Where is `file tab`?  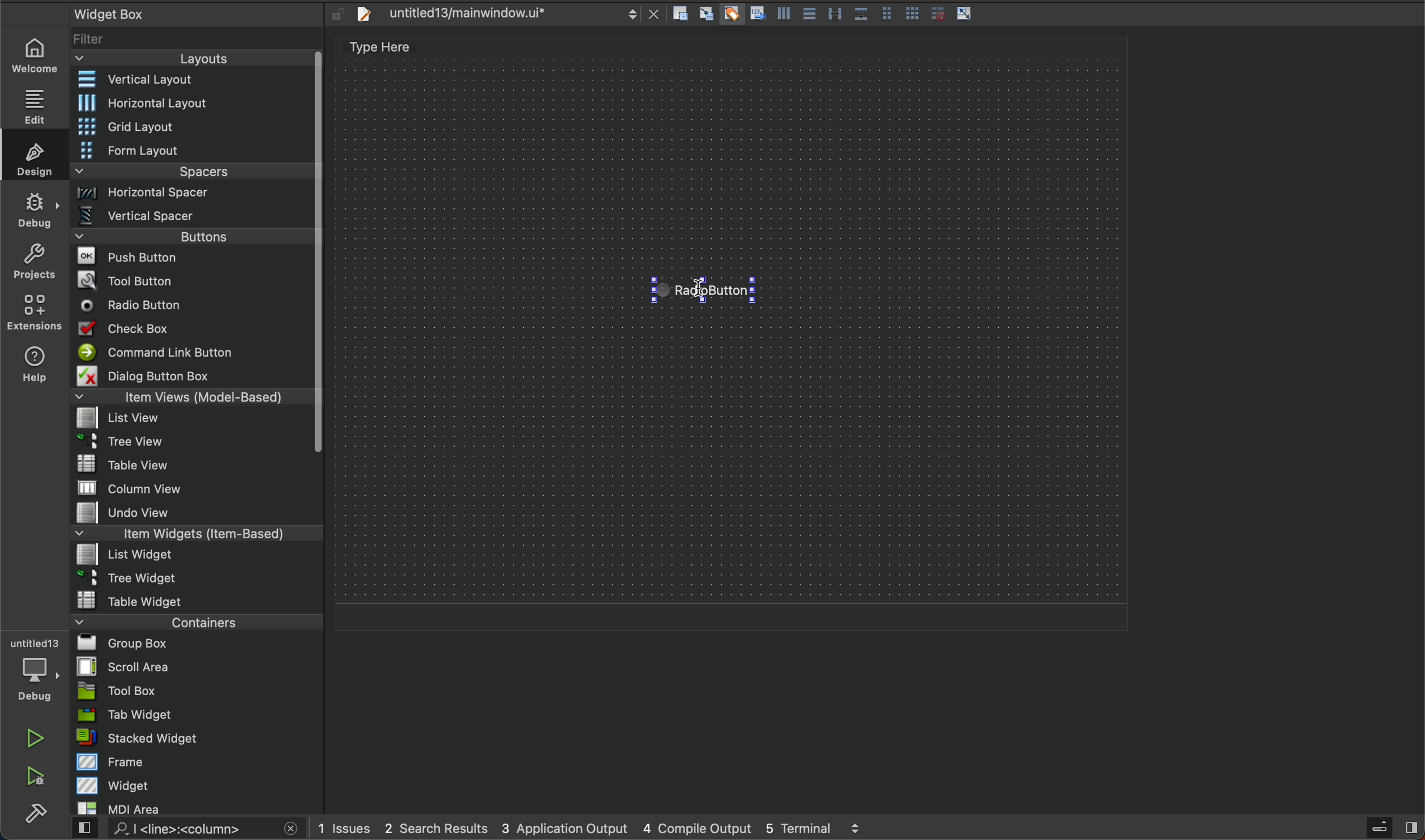
file tab is located at coordinates (504, 14).